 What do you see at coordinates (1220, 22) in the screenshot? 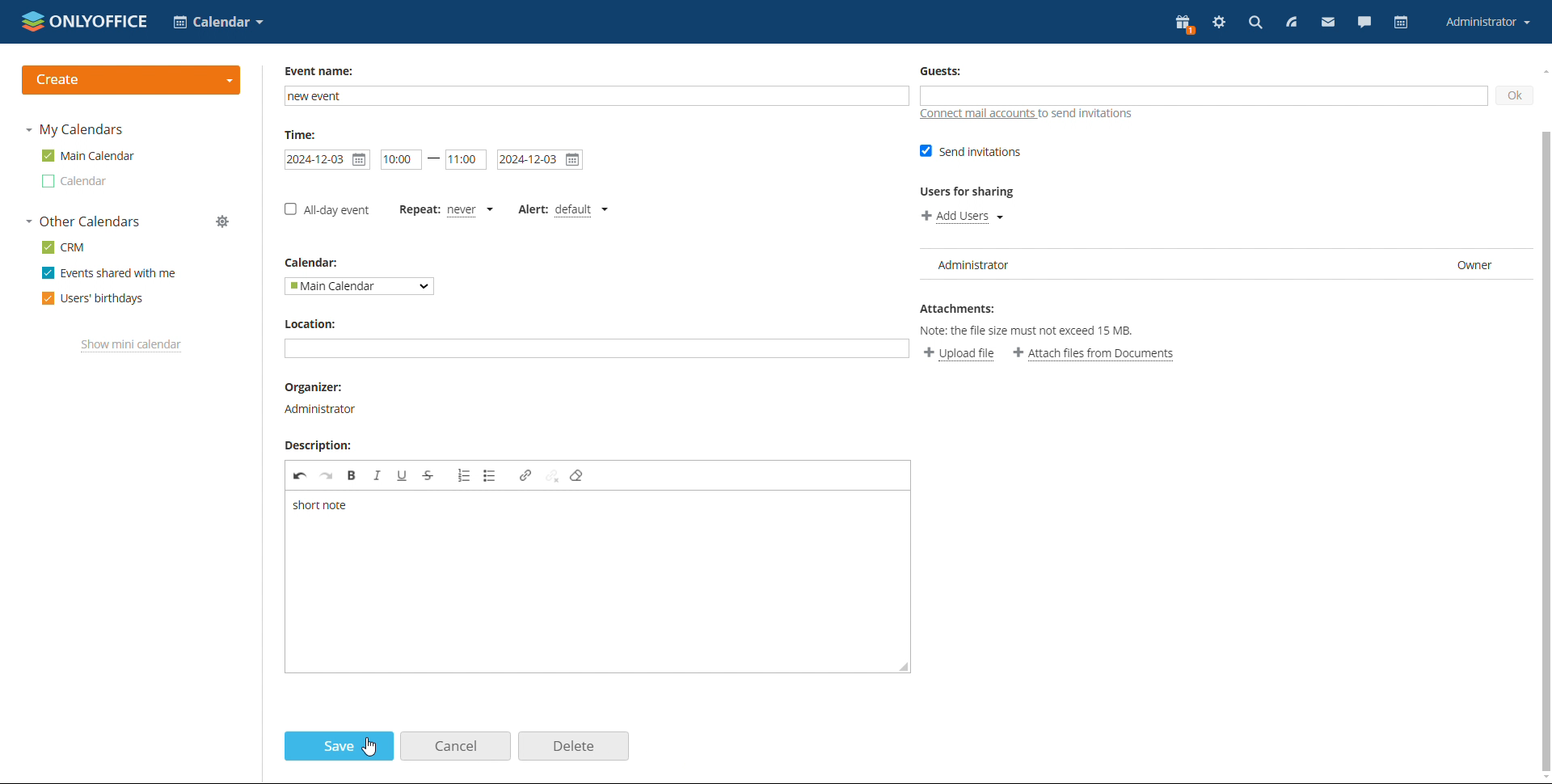
I see `settings` at bounding box center [1220, 22].